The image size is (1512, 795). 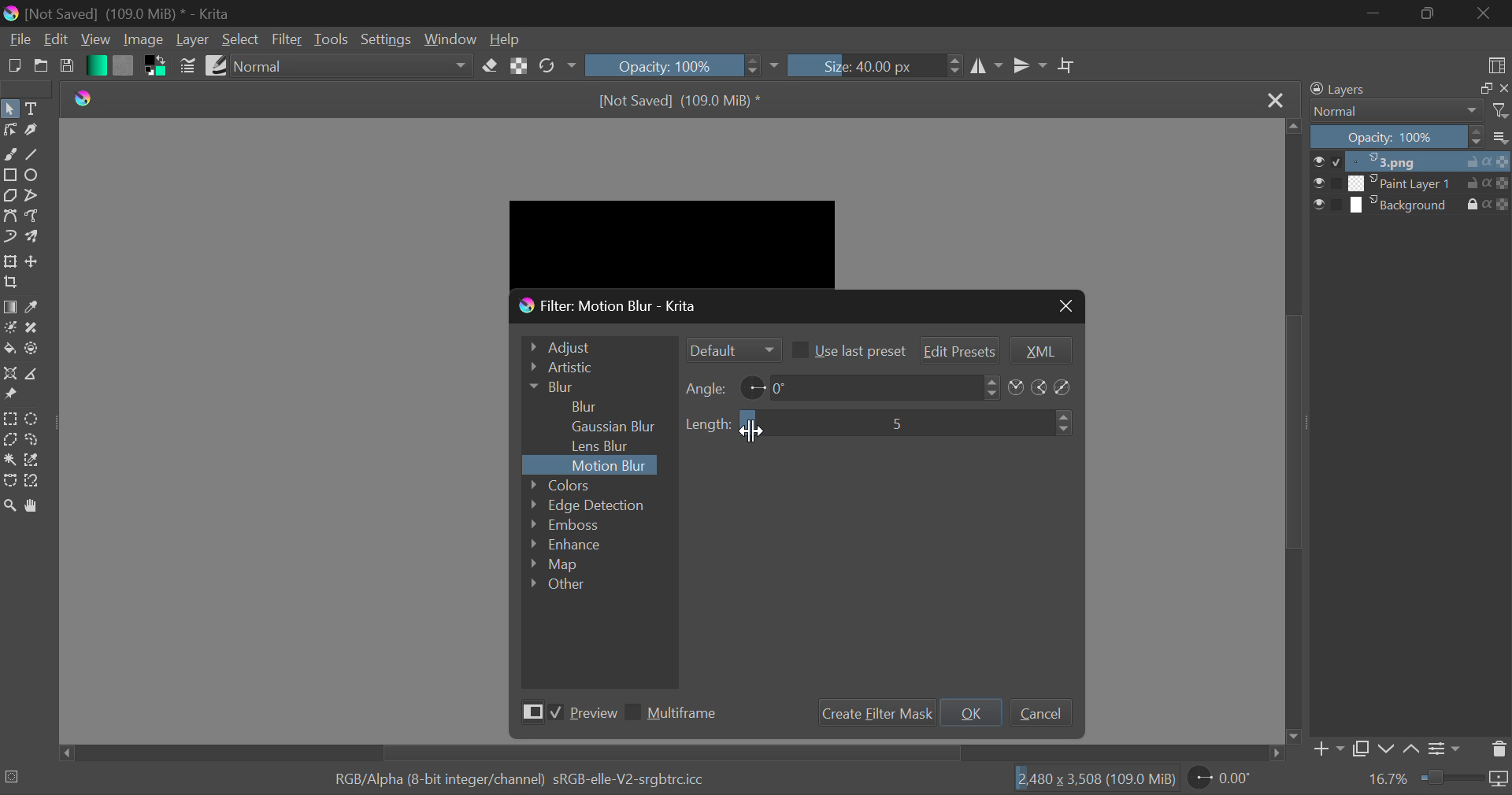 I want to click on increase or decrease Brush Size, so click(x=955, y=68).